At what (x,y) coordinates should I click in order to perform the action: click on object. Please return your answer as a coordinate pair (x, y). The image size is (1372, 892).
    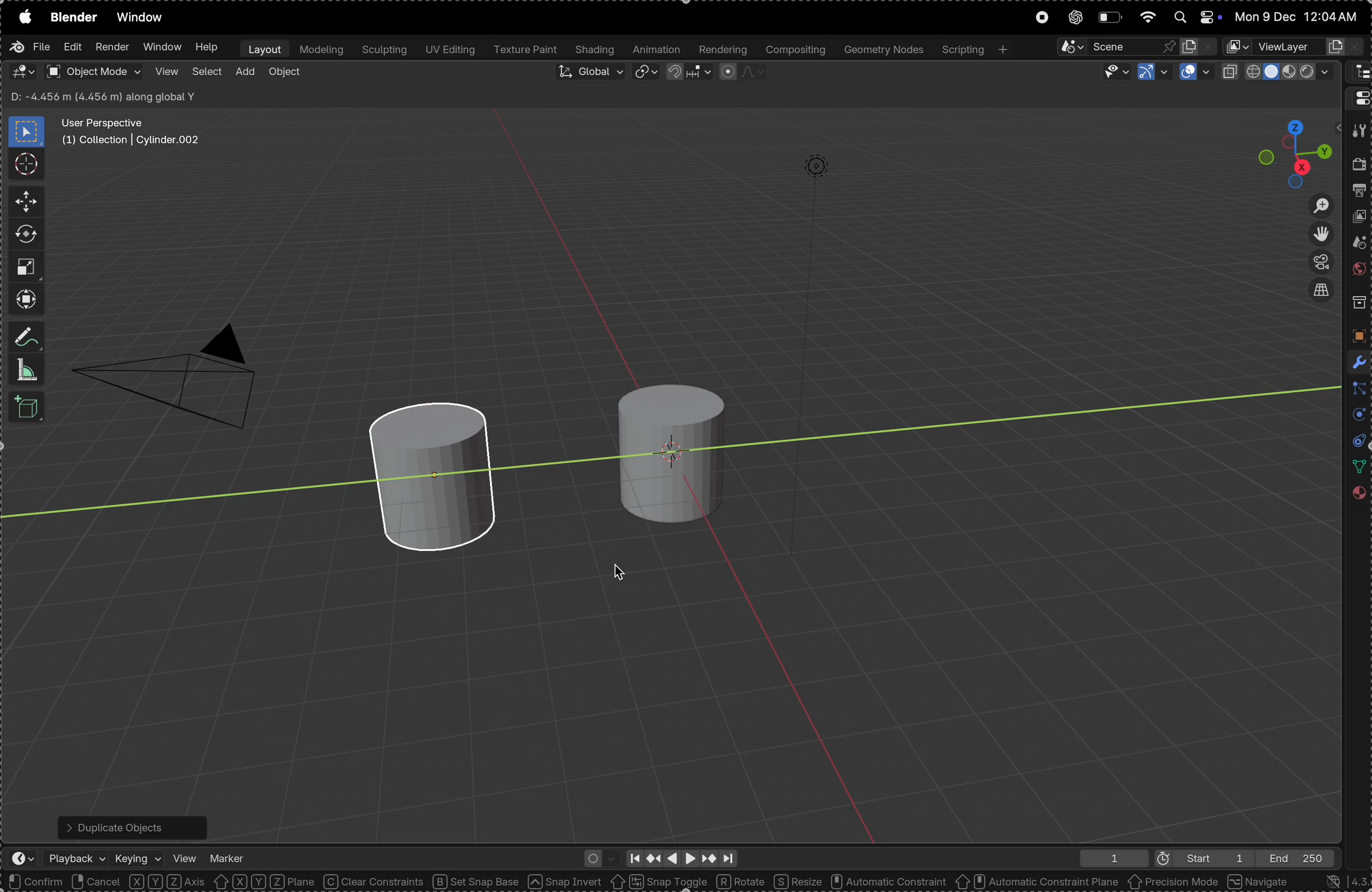
    Looking at the image, I should click on (285, 74).